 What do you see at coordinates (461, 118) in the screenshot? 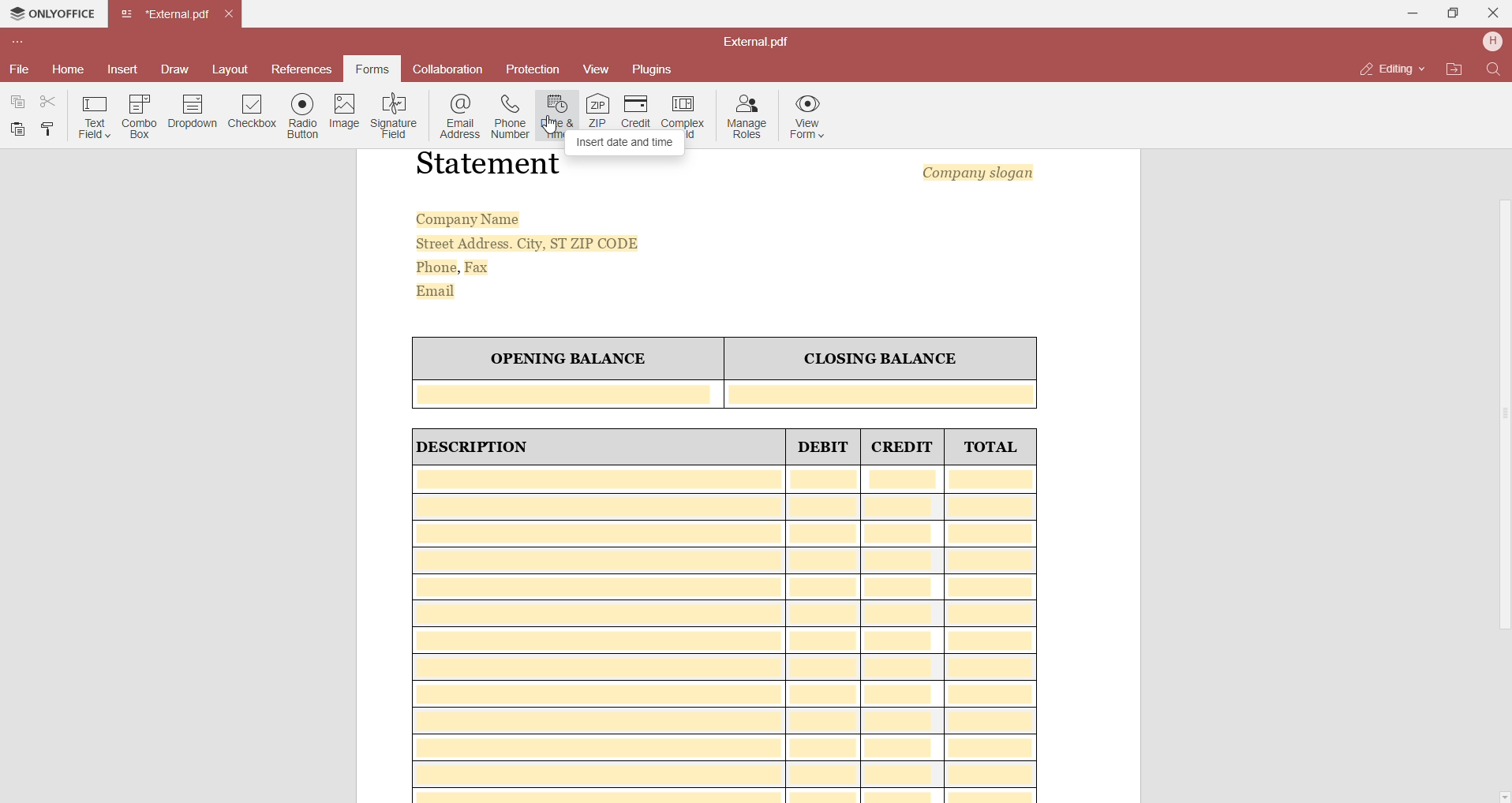
I see `Email Address` at bounding box center [461, 118].